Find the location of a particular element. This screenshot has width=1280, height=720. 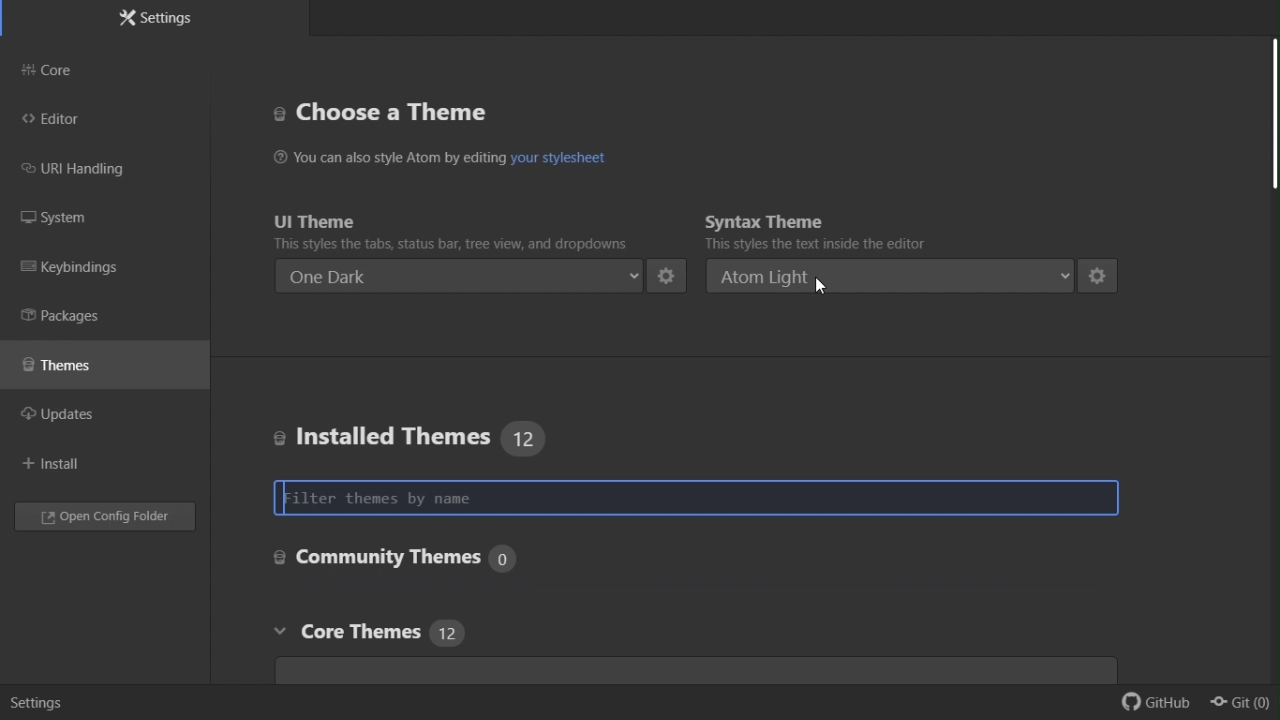

git  is located at coordinates (1246, 702).